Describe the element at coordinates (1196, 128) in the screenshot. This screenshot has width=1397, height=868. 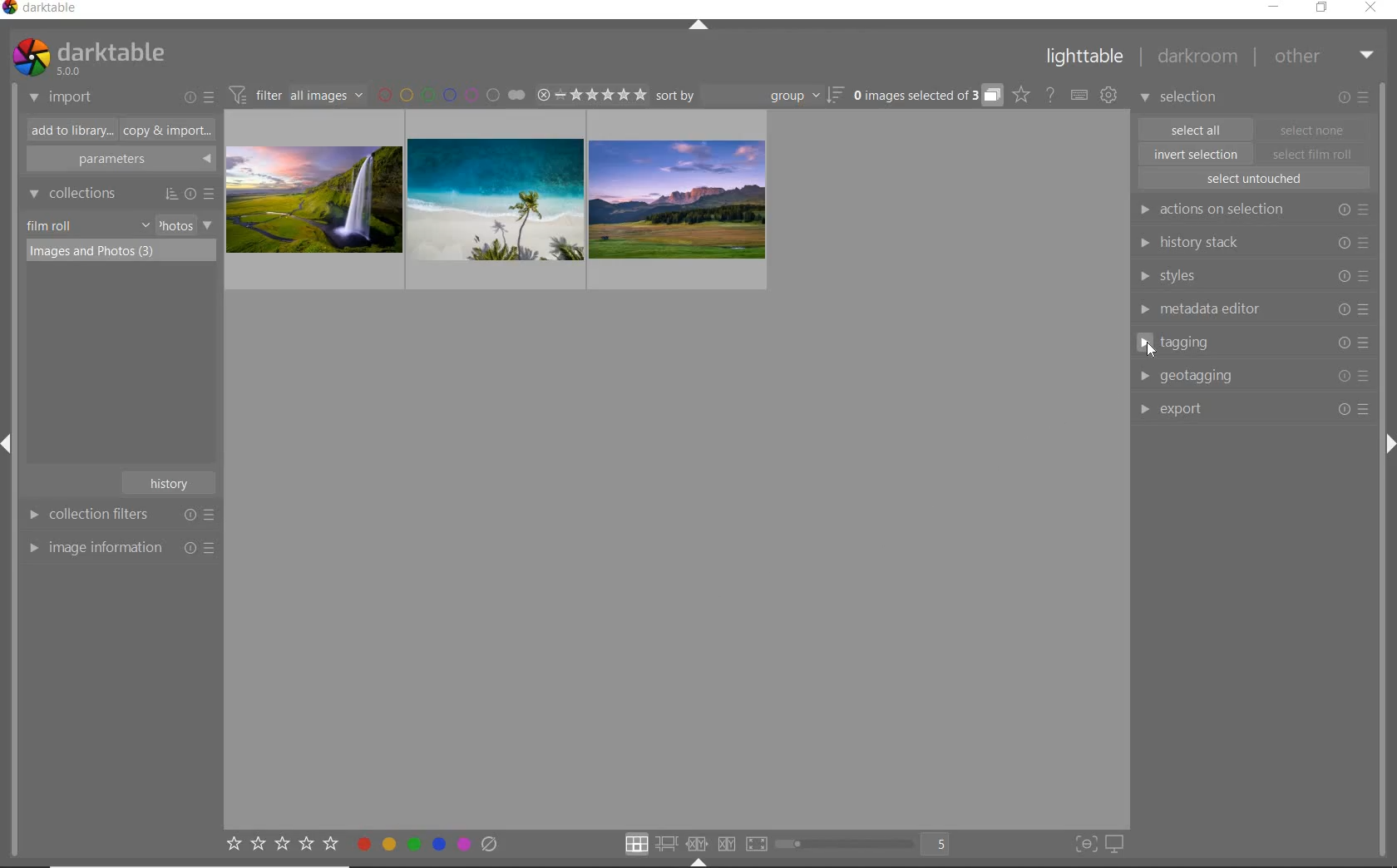
I see `select all` at that location.